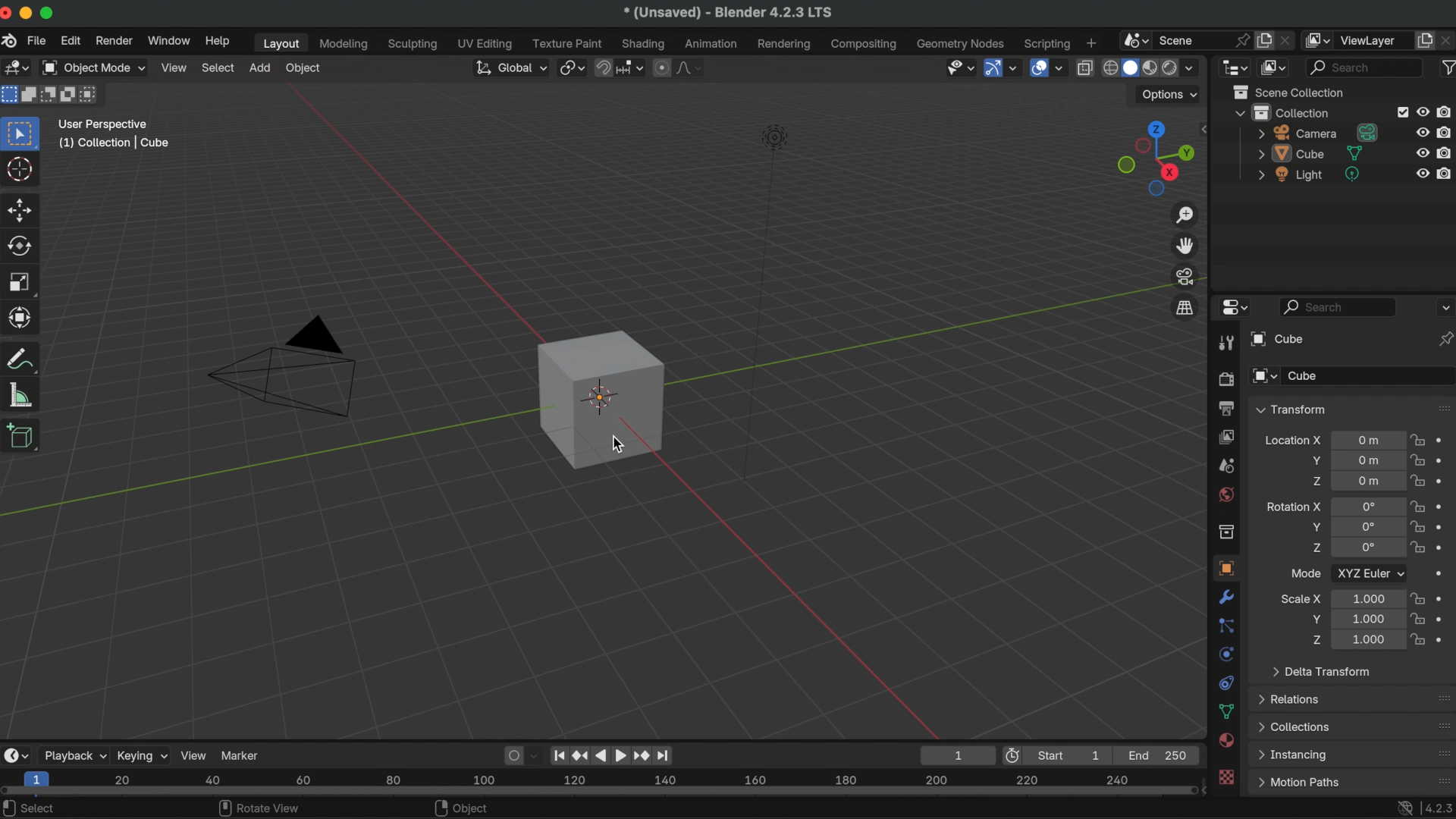 The height and width of the screenshot is (819, 1456). Describe the element at coordinates (1186, 276) in the screenshot. I see `toggle camera view` at that location.